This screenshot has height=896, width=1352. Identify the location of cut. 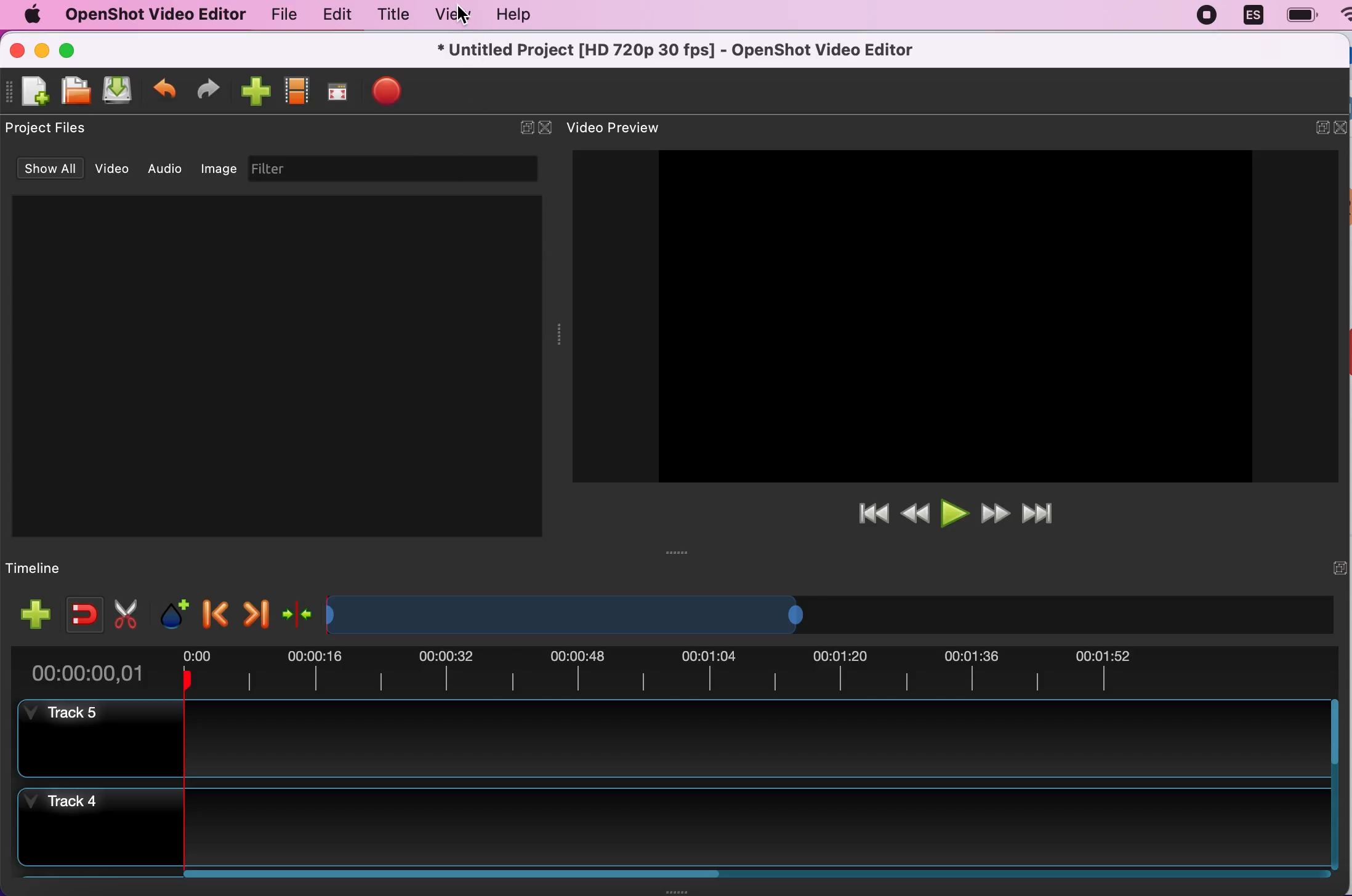
(126, 613).